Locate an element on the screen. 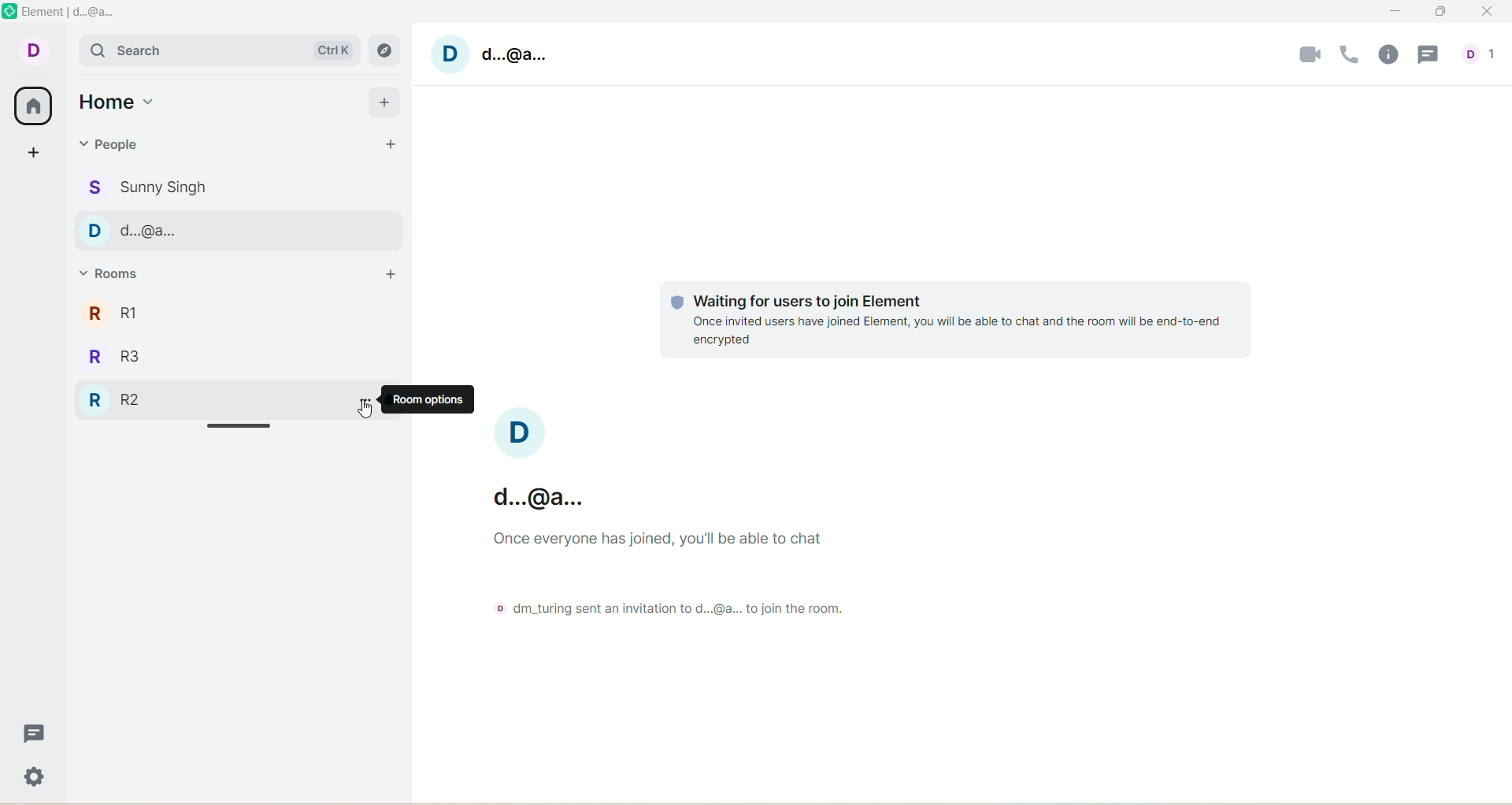  explore rooms is located at coordinates (384, 51).